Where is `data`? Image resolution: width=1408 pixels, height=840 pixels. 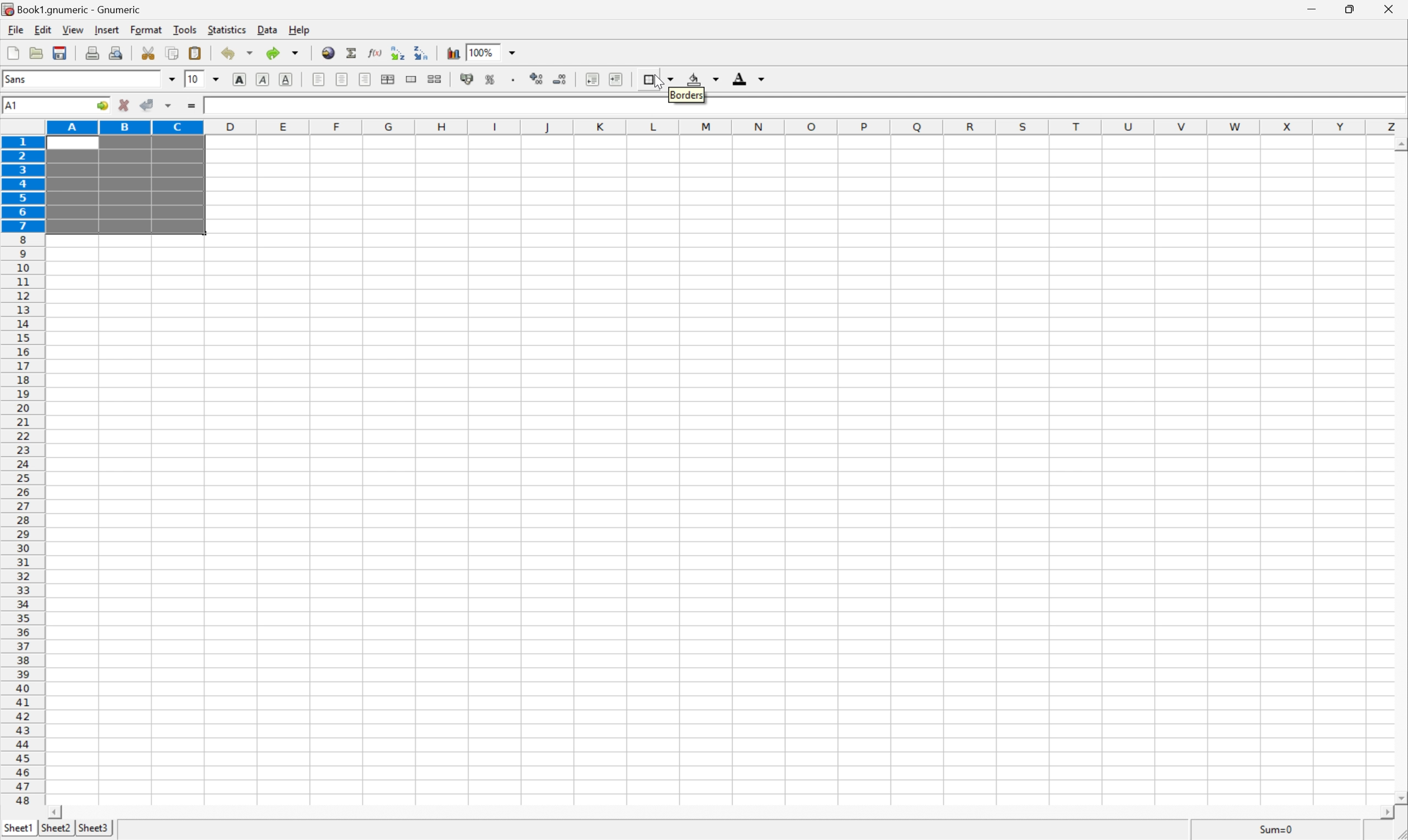 data is located at coordinates (265, 31).